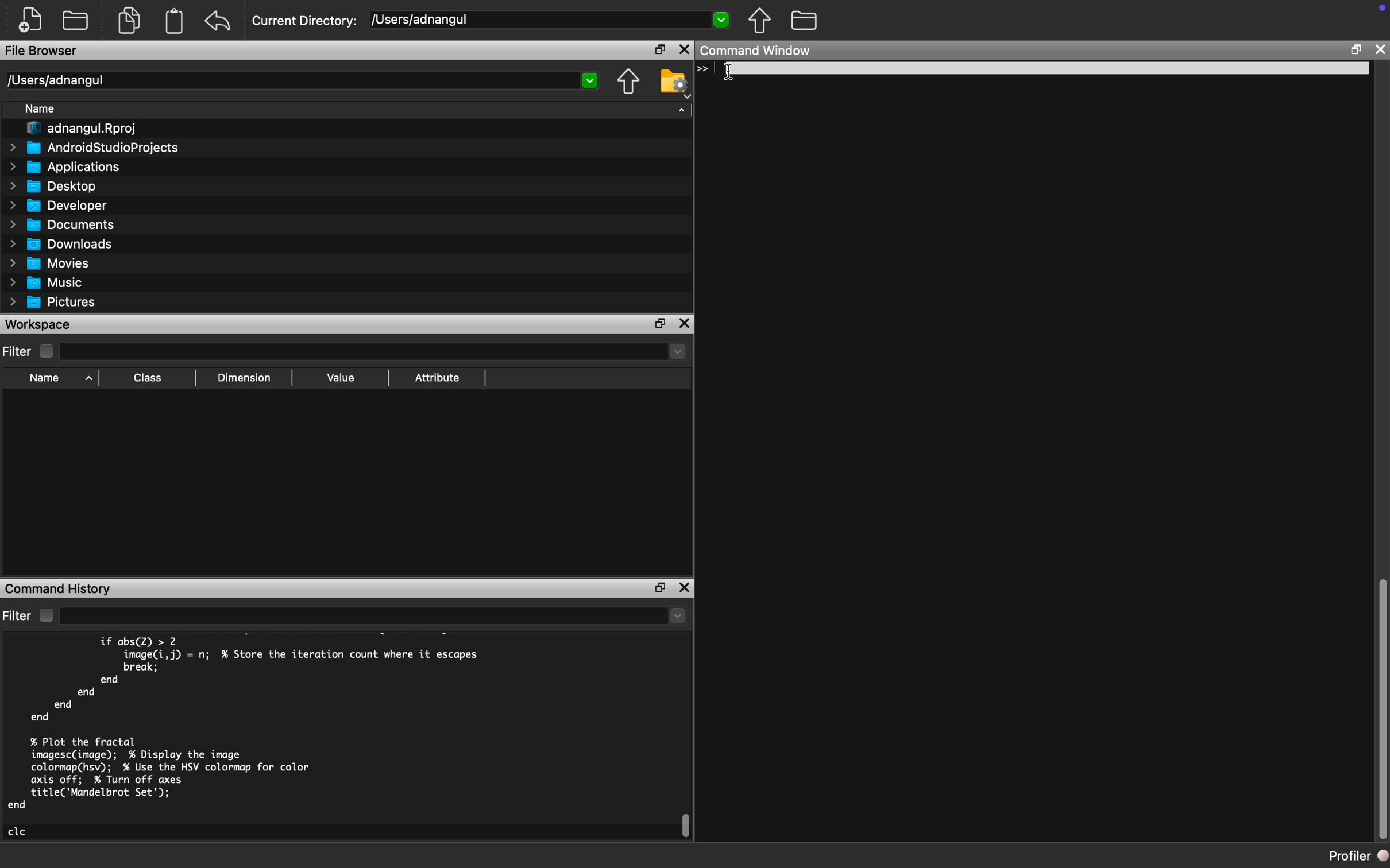 The height and width of the screenshot is (868, 1390). What do you see at coordinates (129, 19) in the screenshot?
I see `Copy` at bounding box center [129, 19].